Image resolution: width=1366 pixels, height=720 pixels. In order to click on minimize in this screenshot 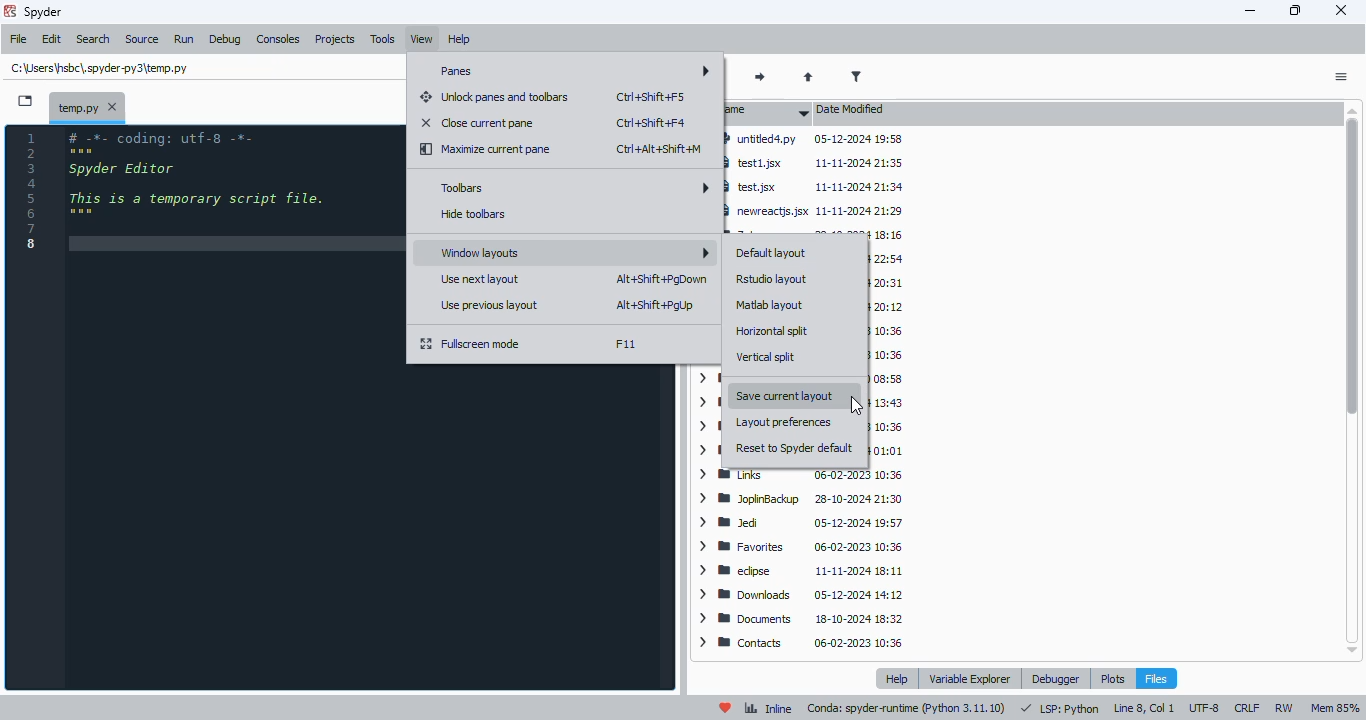, I will do `click(1249, 11)`.